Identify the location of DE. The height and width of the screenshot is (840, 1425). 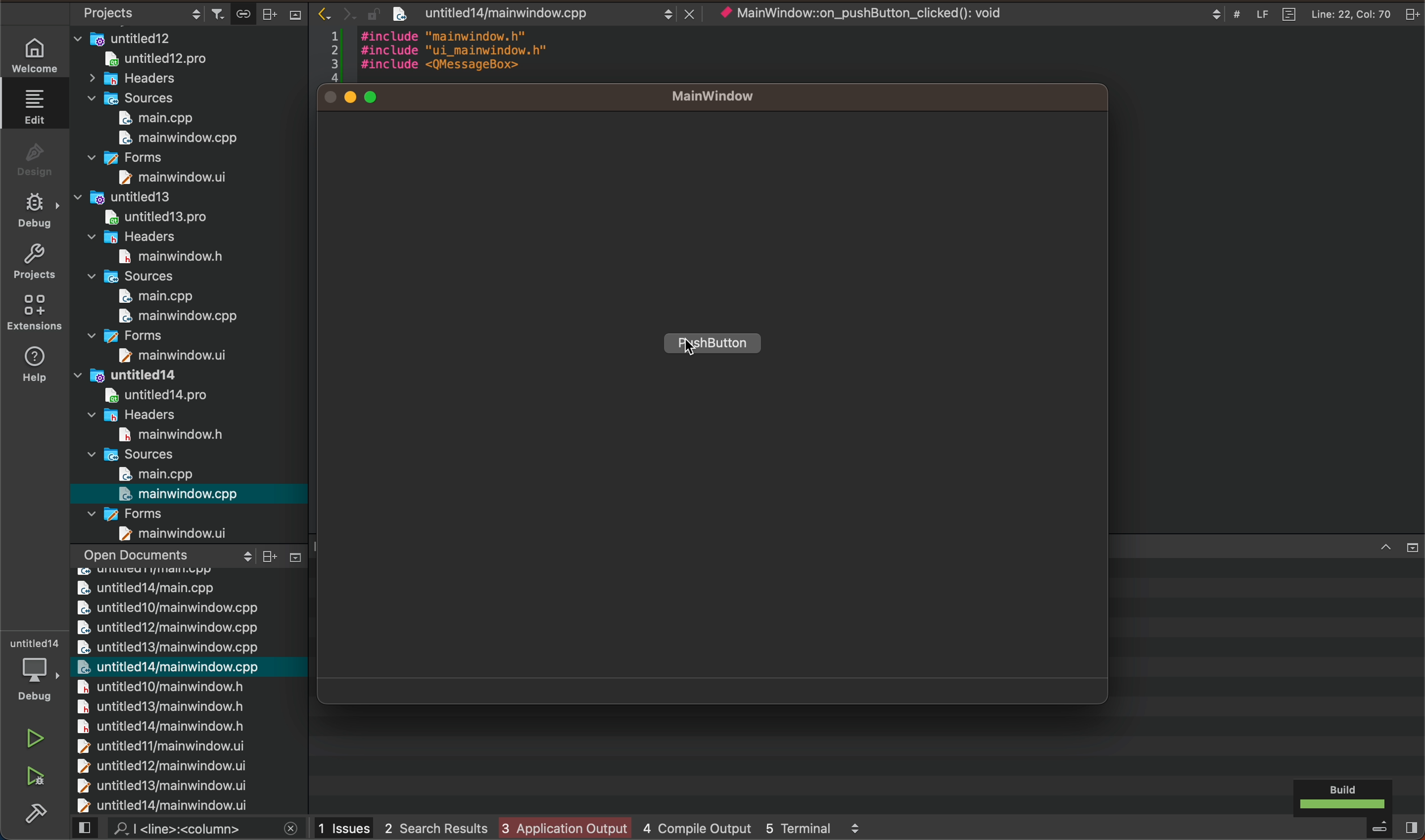
(32, 212).